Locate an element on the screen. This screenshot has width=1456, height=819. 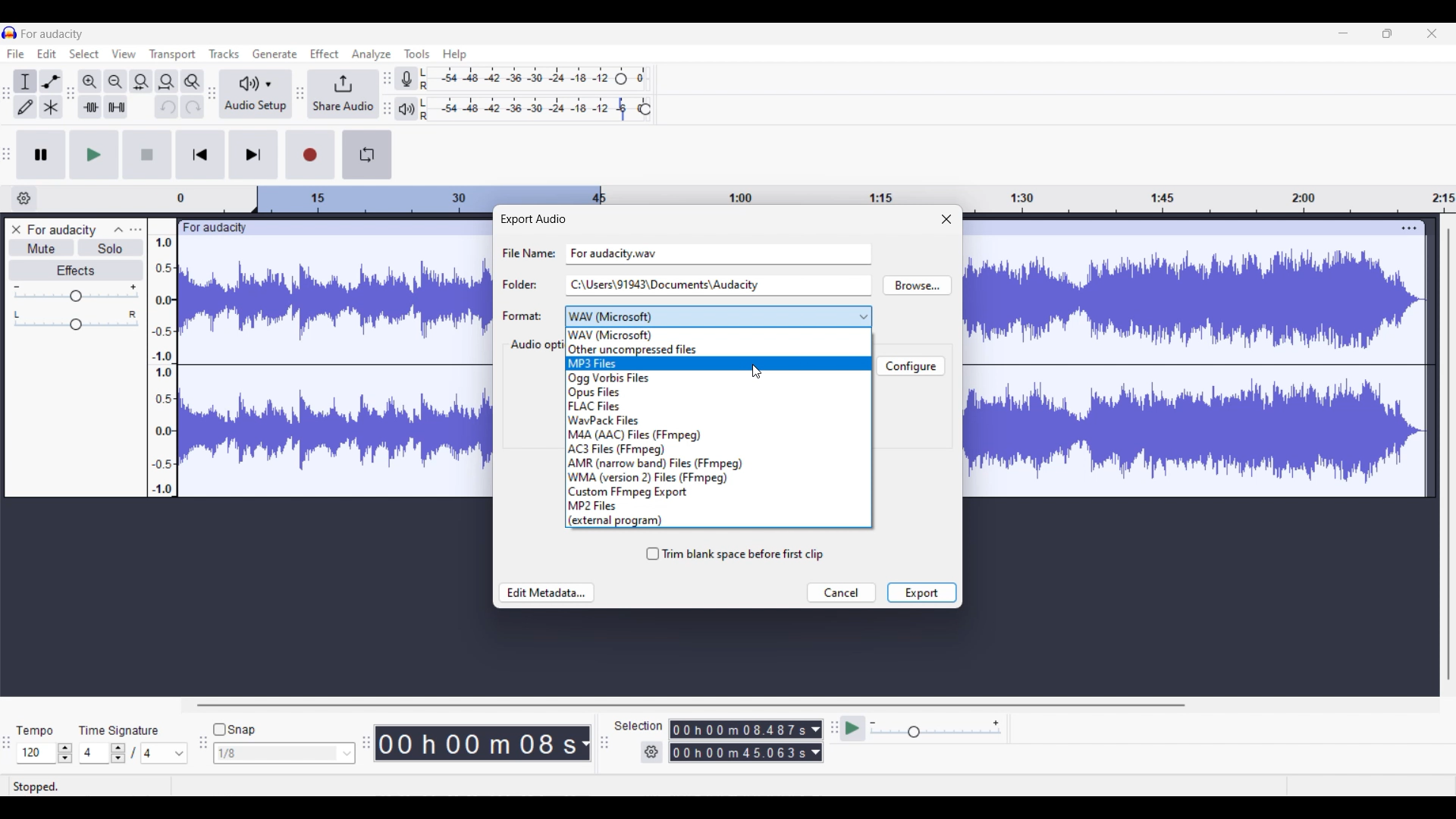
WMA(version 2) Files(FFmeg) is located at coordinates (719, 478).